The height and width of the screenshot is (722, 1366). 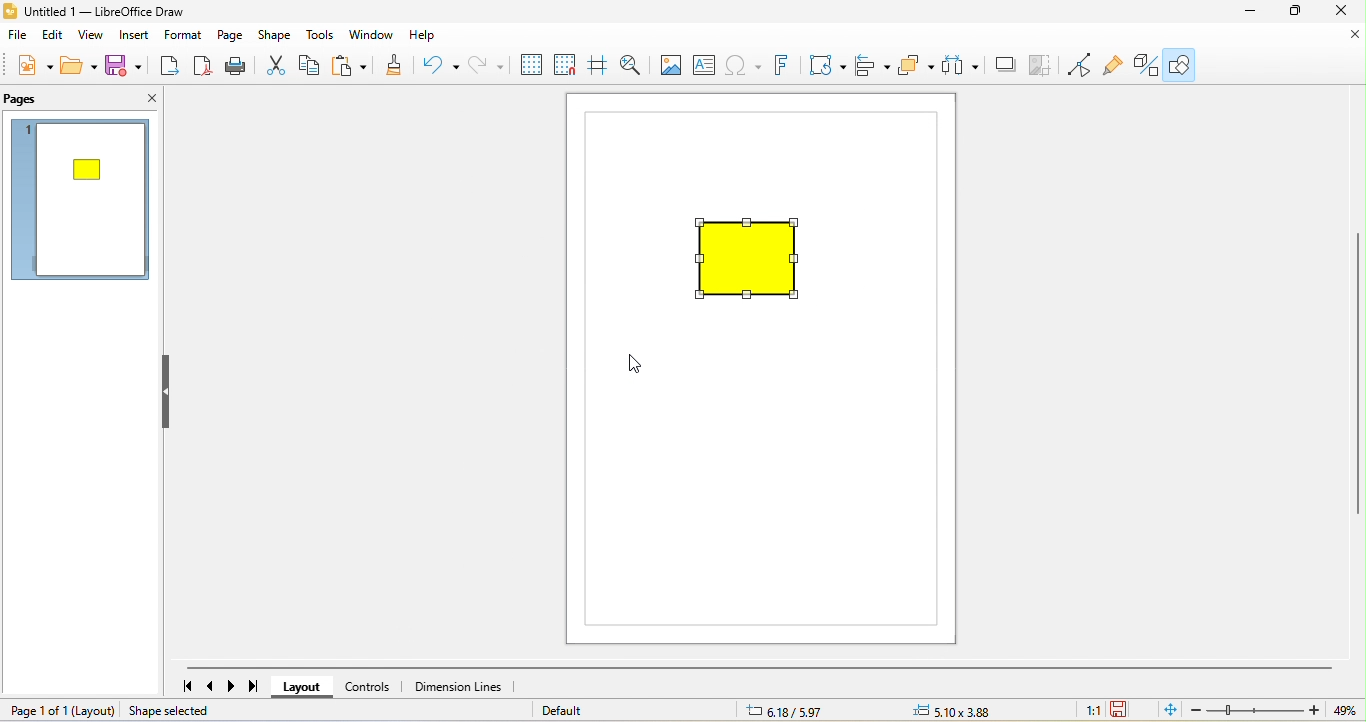 What do you see at coordinates (770, 667) in the screenshot?
I see `horizontal scroll bar` at bounding box center [770, 667].